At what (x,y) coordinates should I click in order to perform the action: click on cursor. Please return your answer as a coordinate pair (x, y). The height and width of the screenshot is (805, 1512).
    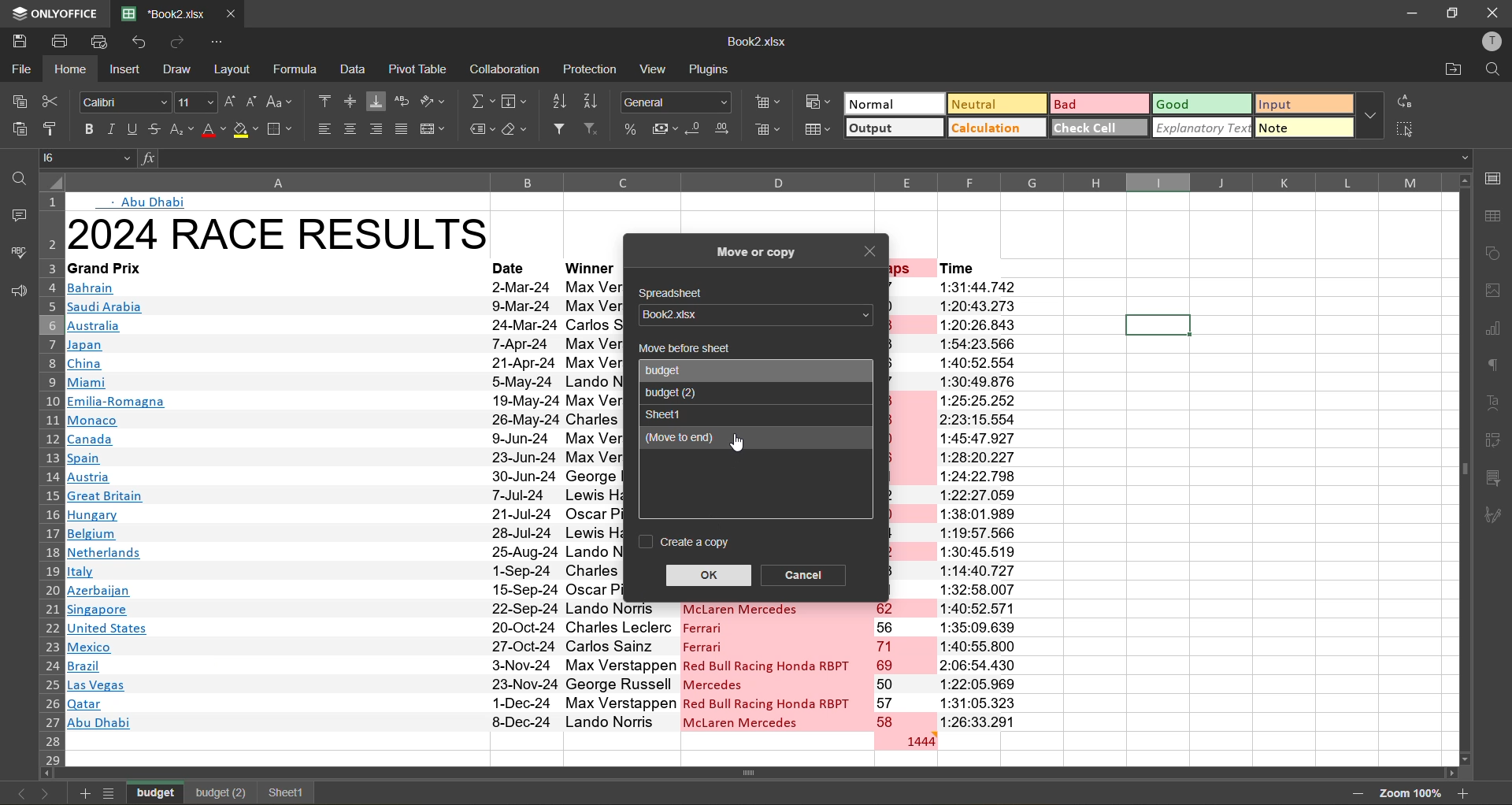
    Looking at the image, I should click on (742, 443).